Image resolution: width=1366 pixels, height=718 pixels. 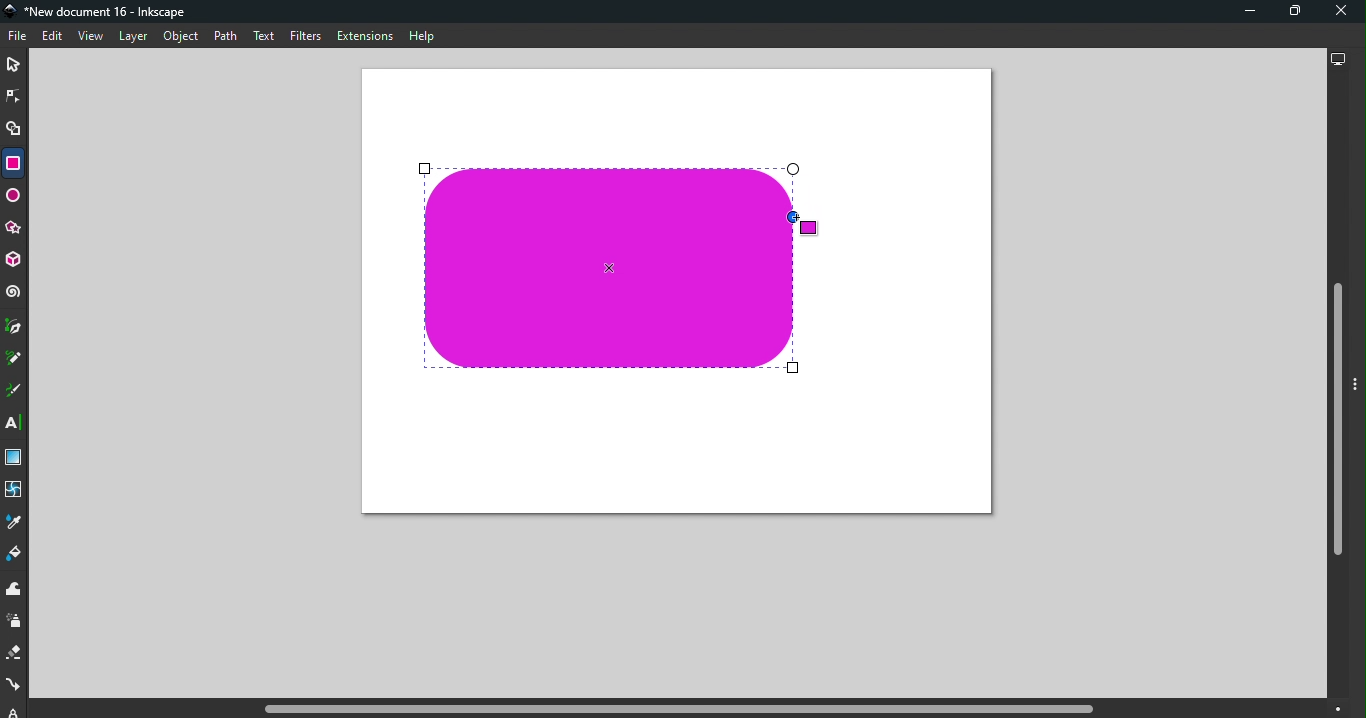 I want to click on Cursor, so click(x=801, y=223).